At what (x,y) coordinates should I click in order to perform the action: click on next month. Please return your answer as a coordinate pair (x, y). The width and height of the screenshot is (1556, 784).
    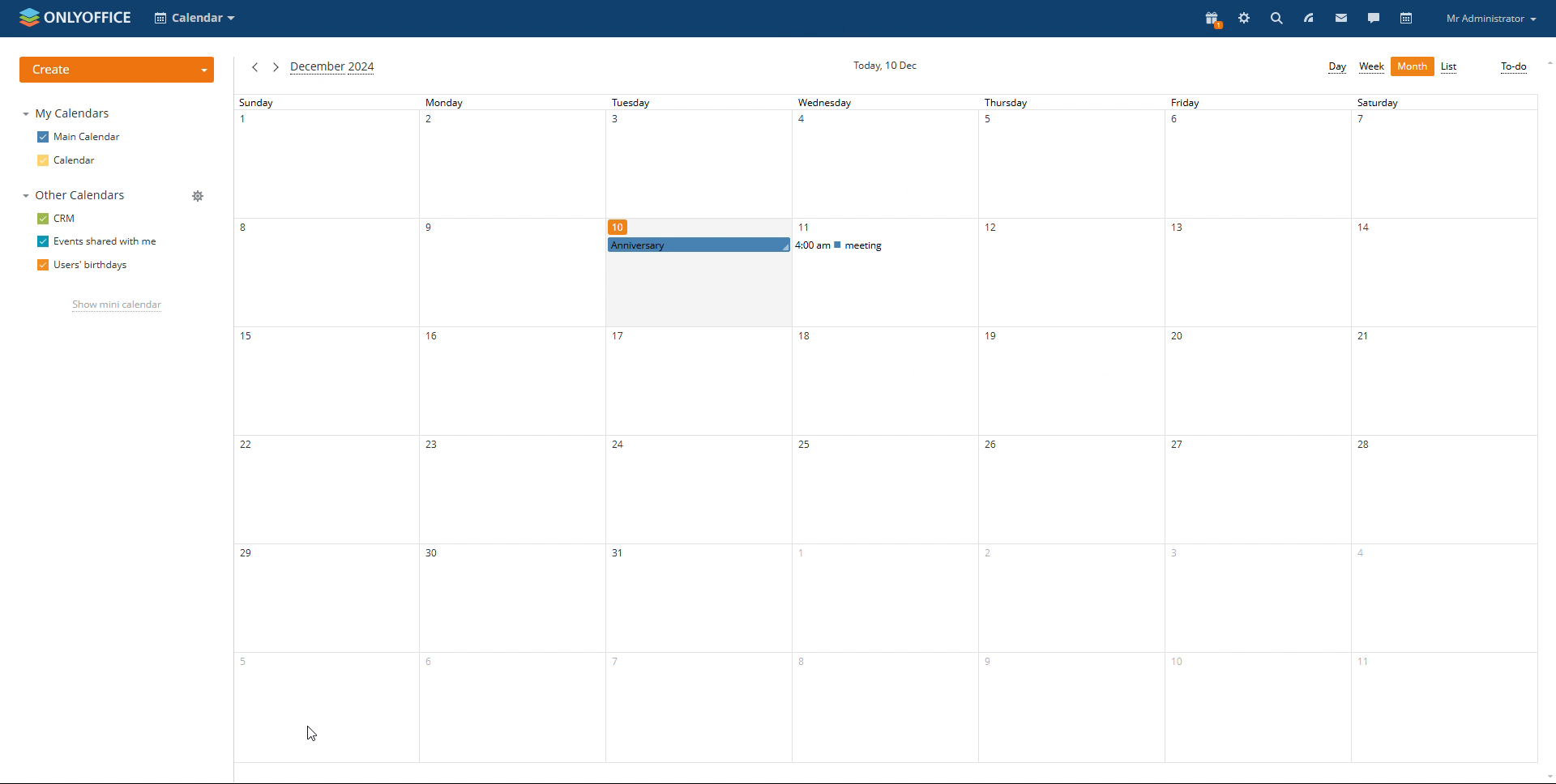
    Looking at the image, I should click on (274, 67).